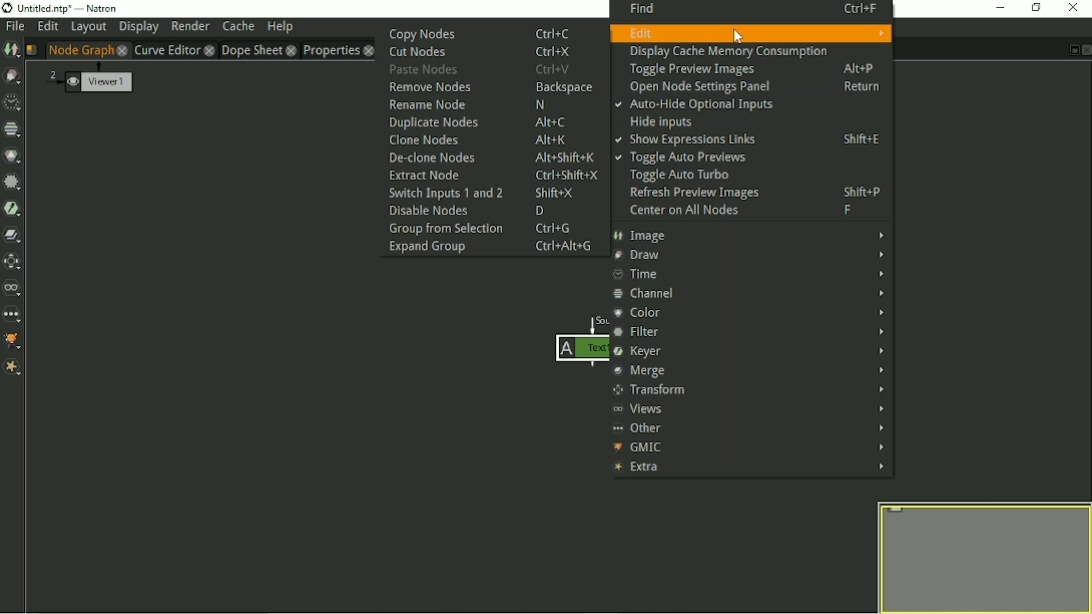 The width and height of the screenshot is (1092, 614). I want to click on Auto-Hide Optional Inputs, so click(694, 105).